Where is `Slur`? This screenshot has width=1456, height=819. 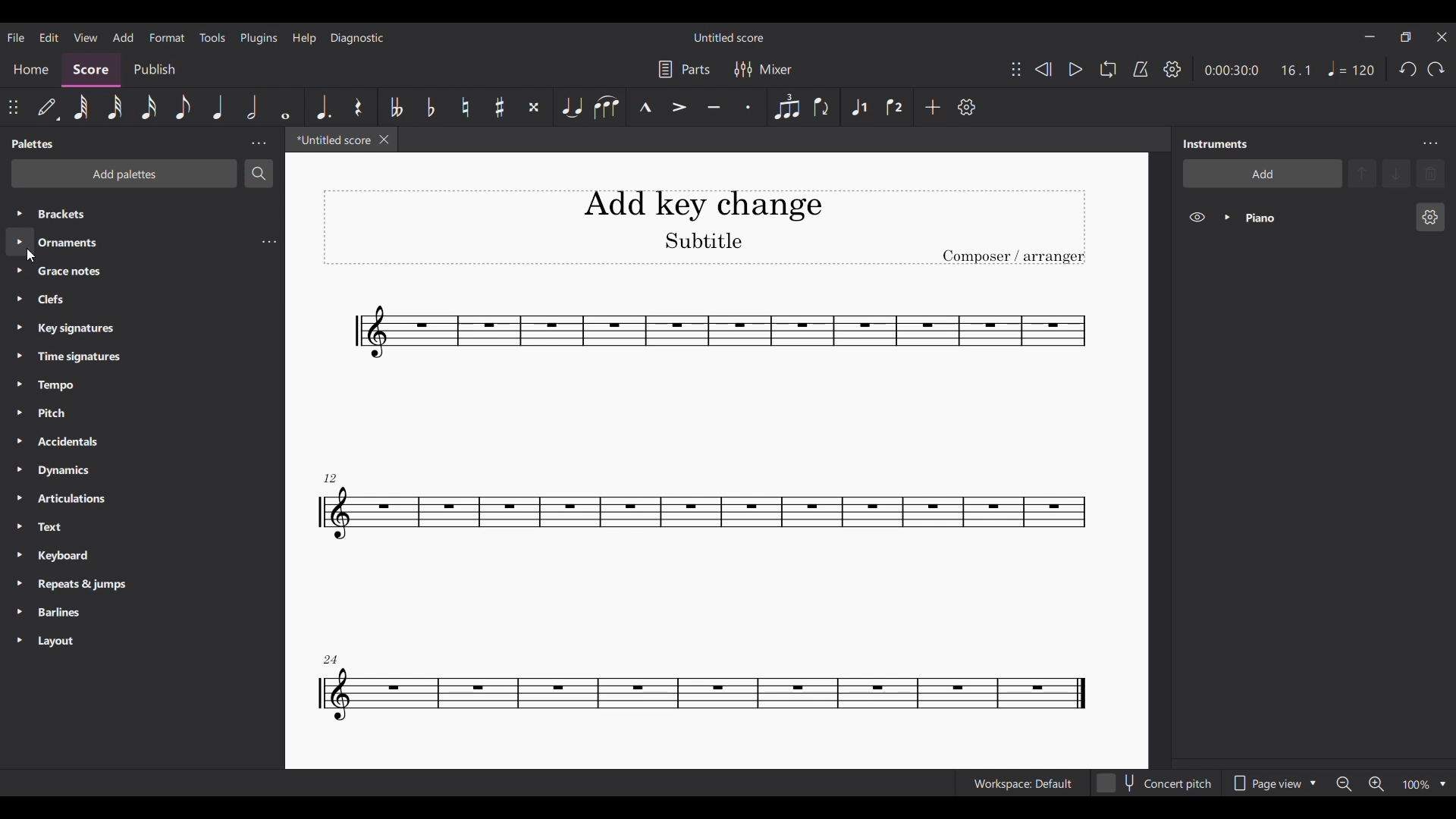
Slur is located at coordinates (606, 106).